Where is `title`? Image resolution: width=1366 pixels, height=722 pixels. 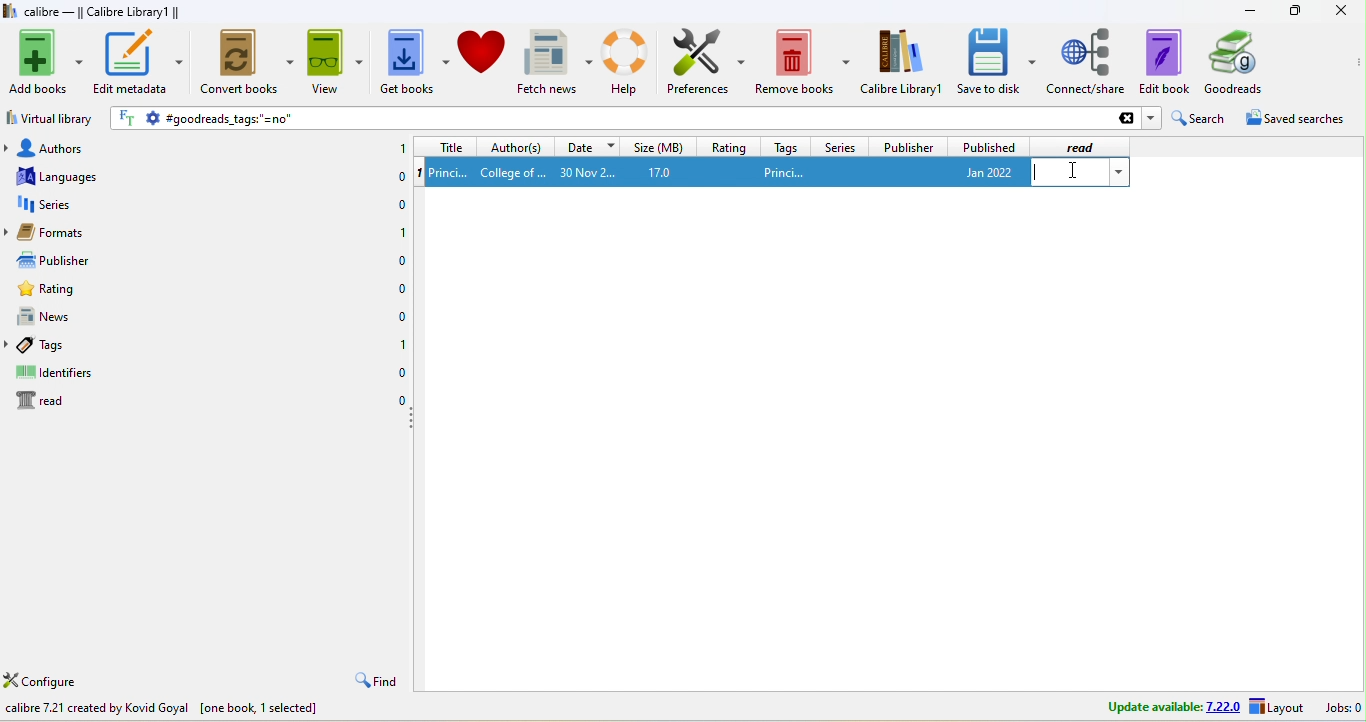 title is located at coordinates (444, 147).